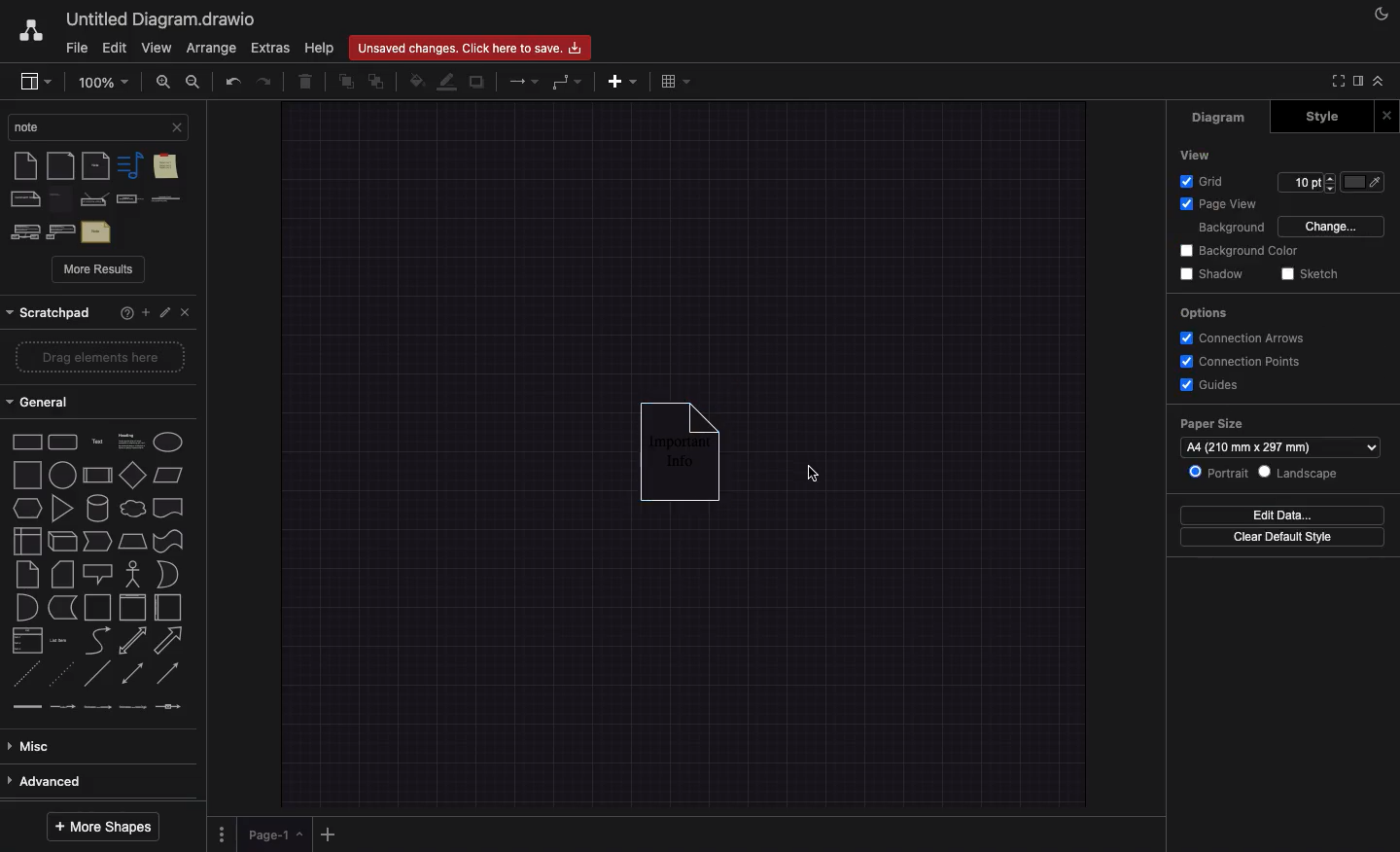  What do you see at coordinates (97, 165) in the screenshot?
I see `note` at bounding box center [97, 165].